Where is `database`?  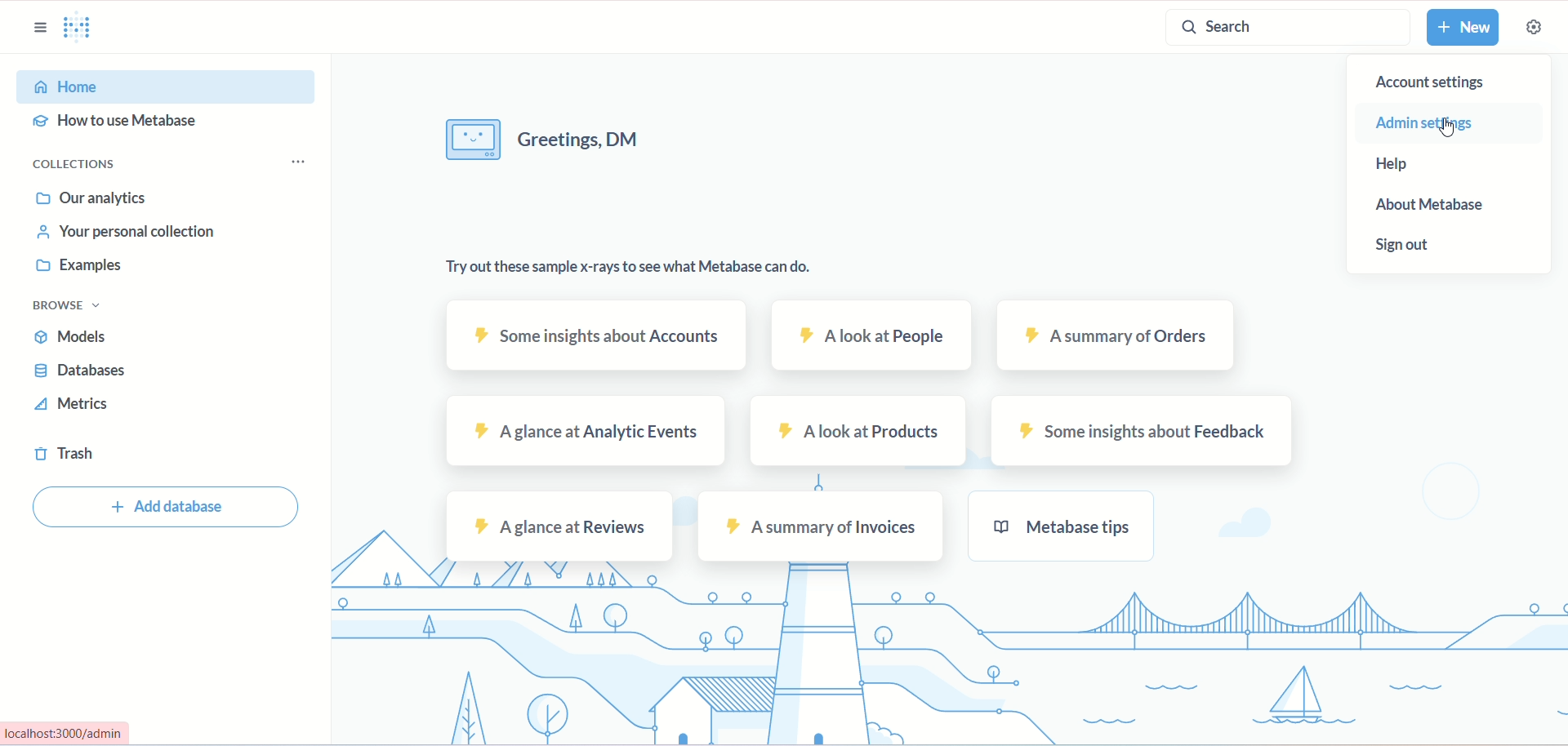 database is located at coordinates (91, 374).